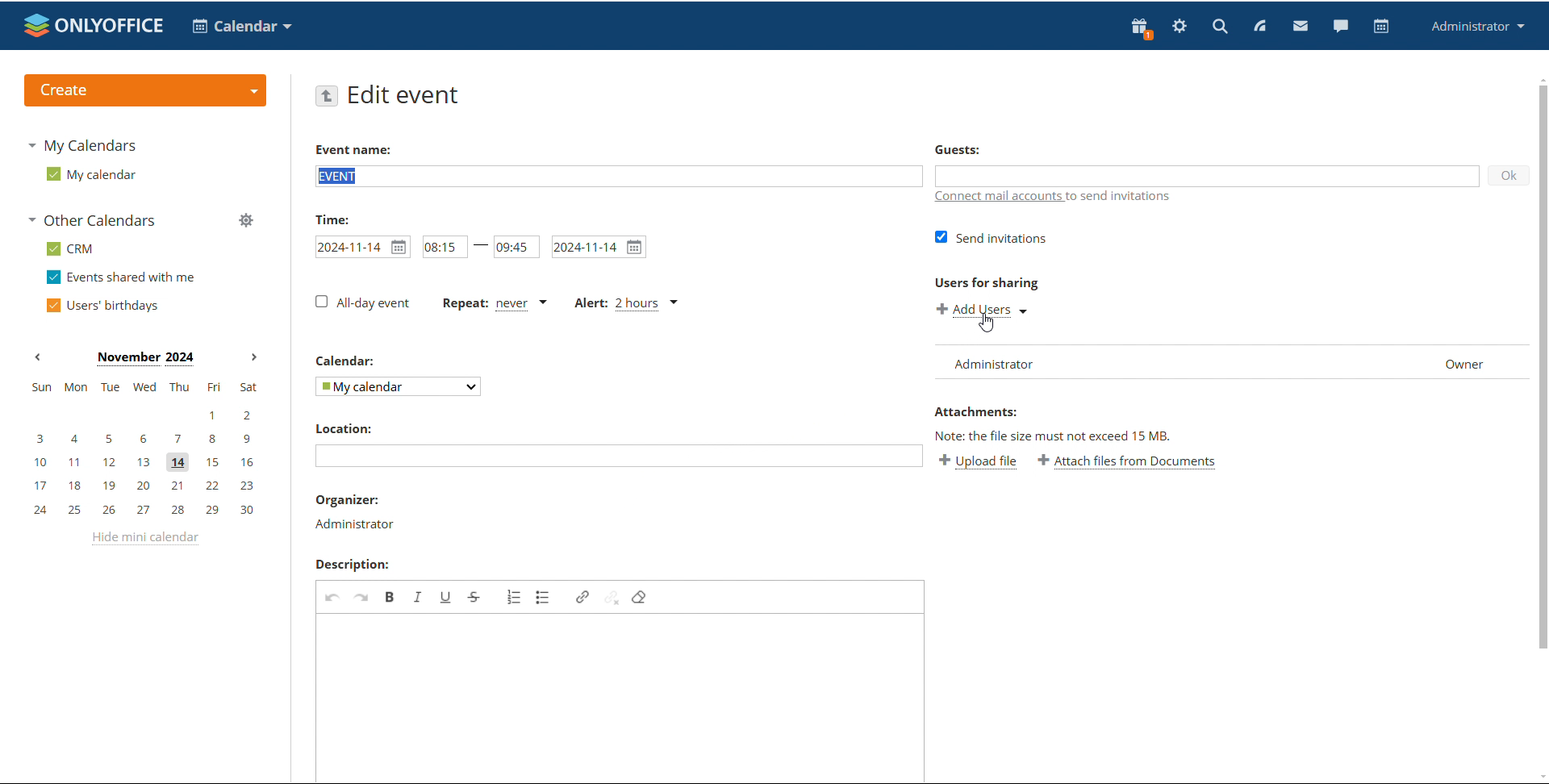  What do you see at coordinates (612, 598) in the screenshot?
I see `unlink` at bounding box center [612, 598].